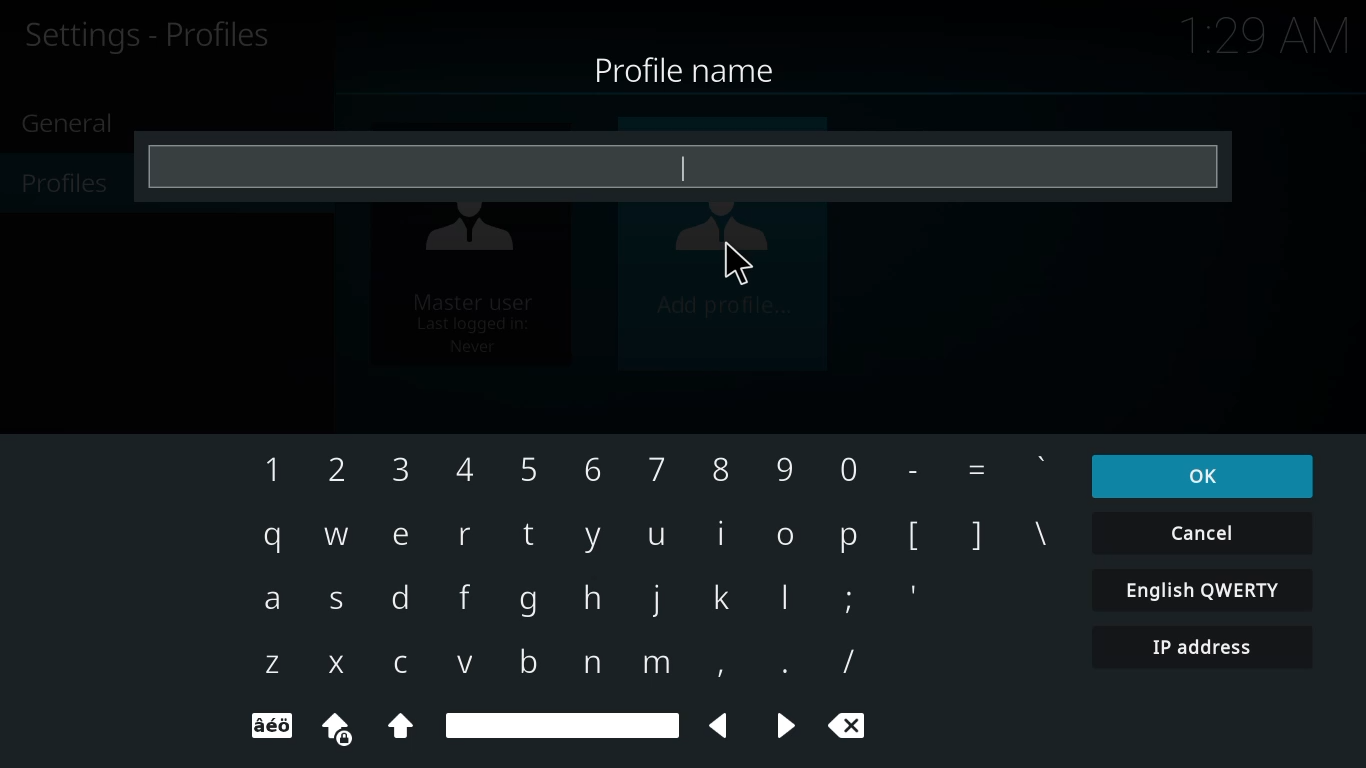 This screenshot has width=1366, height=768. Describe the element at coordinates (471, 284) in the screenshot. I see `master user` at that location.